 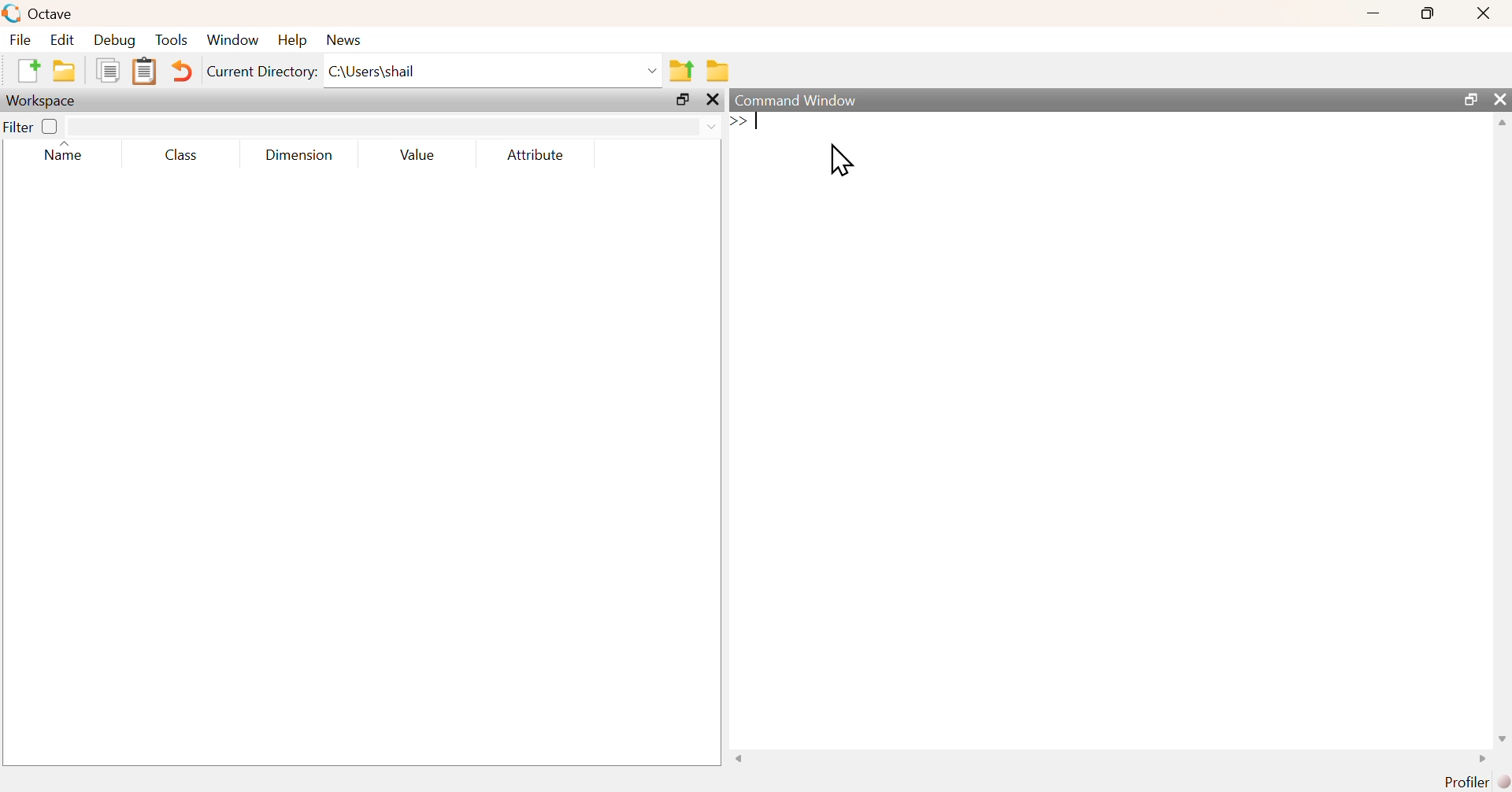 What do you see at coordinates (1482, 13) in the screenshot?
I see `Close` at bounding box center [1482, 13].